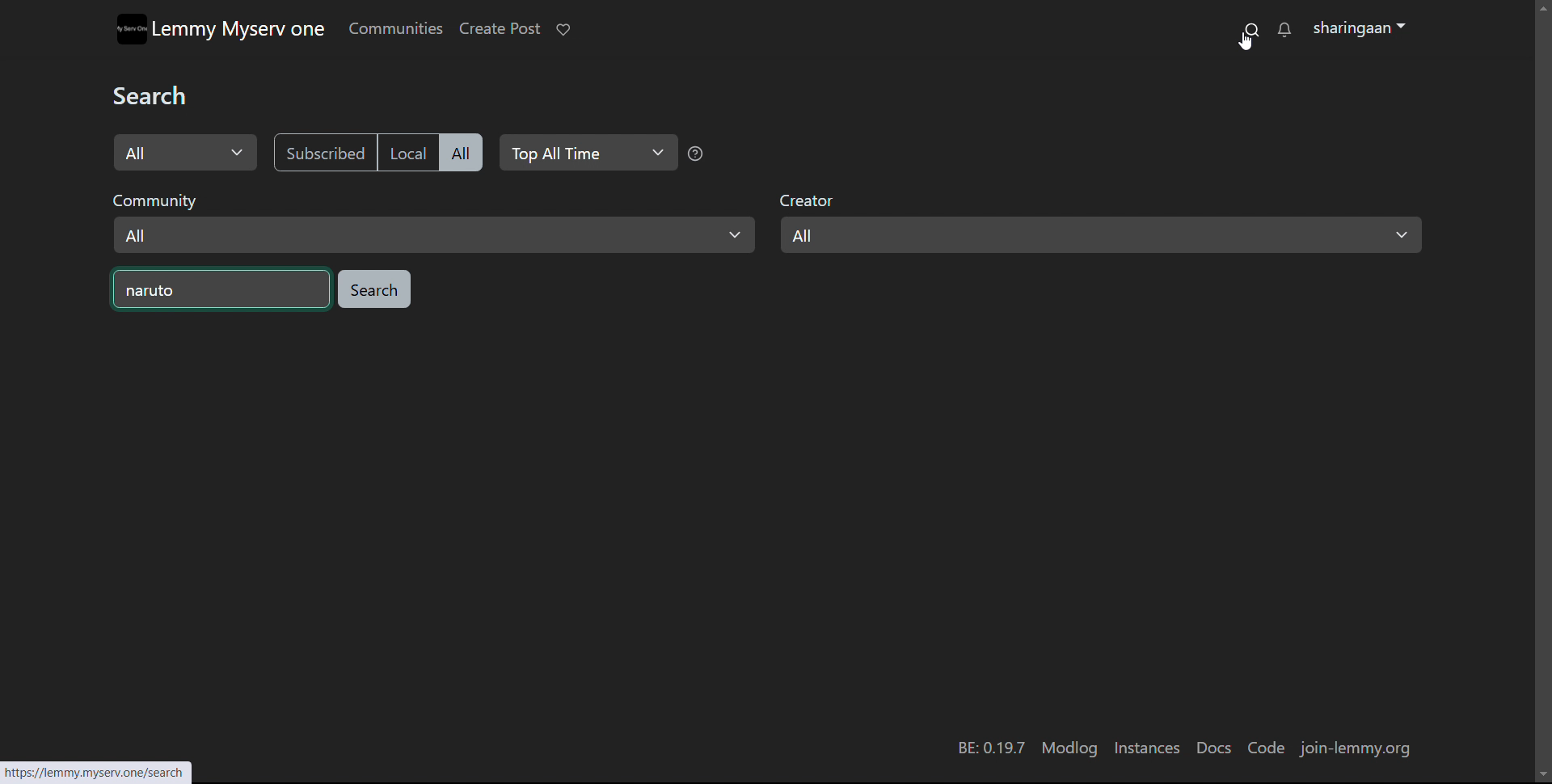 The image size is (1552, 784). What do you see at coordinates (221, 28) in the screenshot?
I see `Lemmy myserv one logo and name` at bounding box center [221, 28].